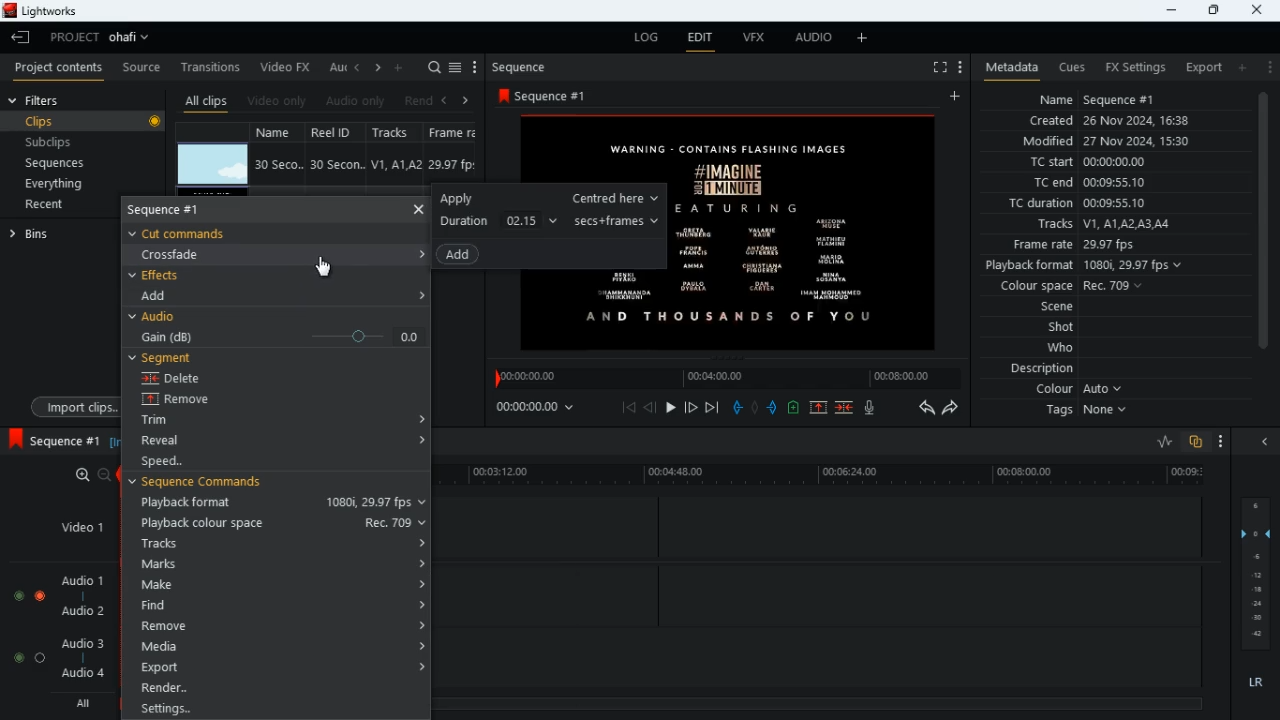  Describe the element at coordinates (22, 37) in the screenshot. I see `leave` at that location.